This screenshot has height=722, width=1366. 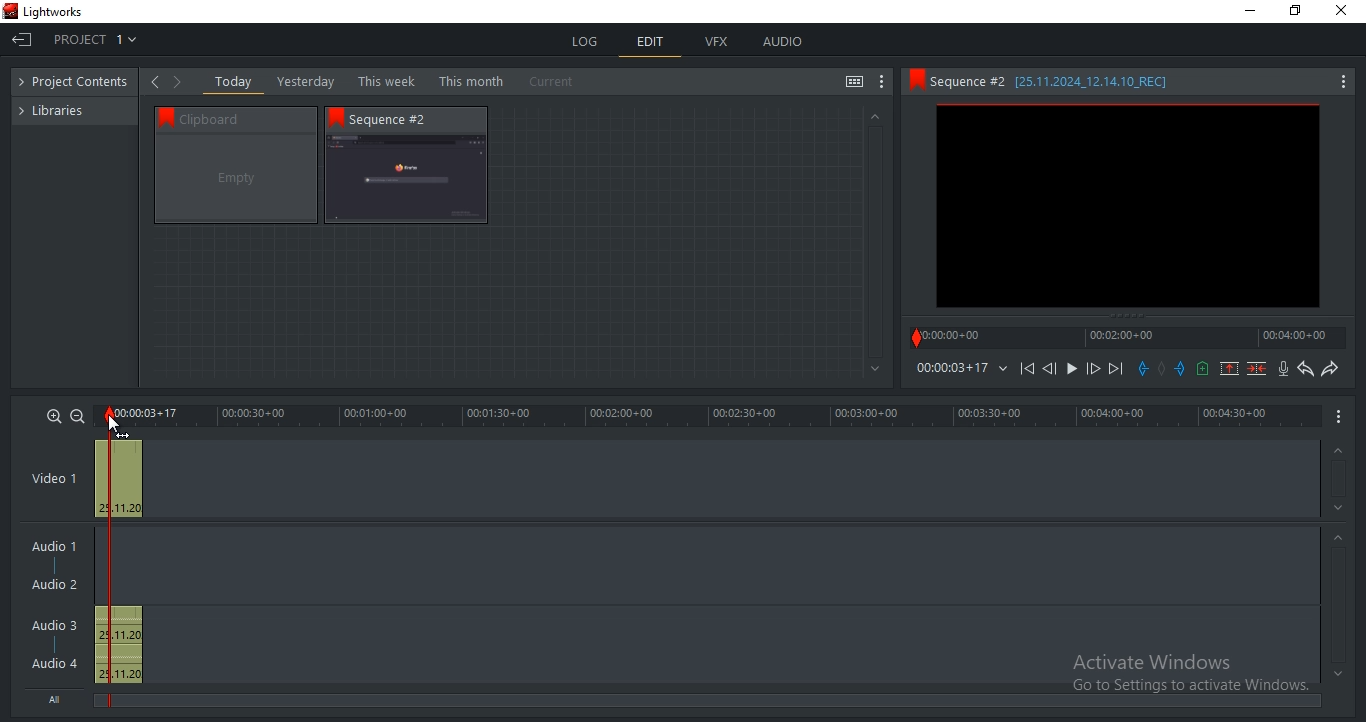 I want to click on Greyed out down arrow, so click(x=876, y=370).